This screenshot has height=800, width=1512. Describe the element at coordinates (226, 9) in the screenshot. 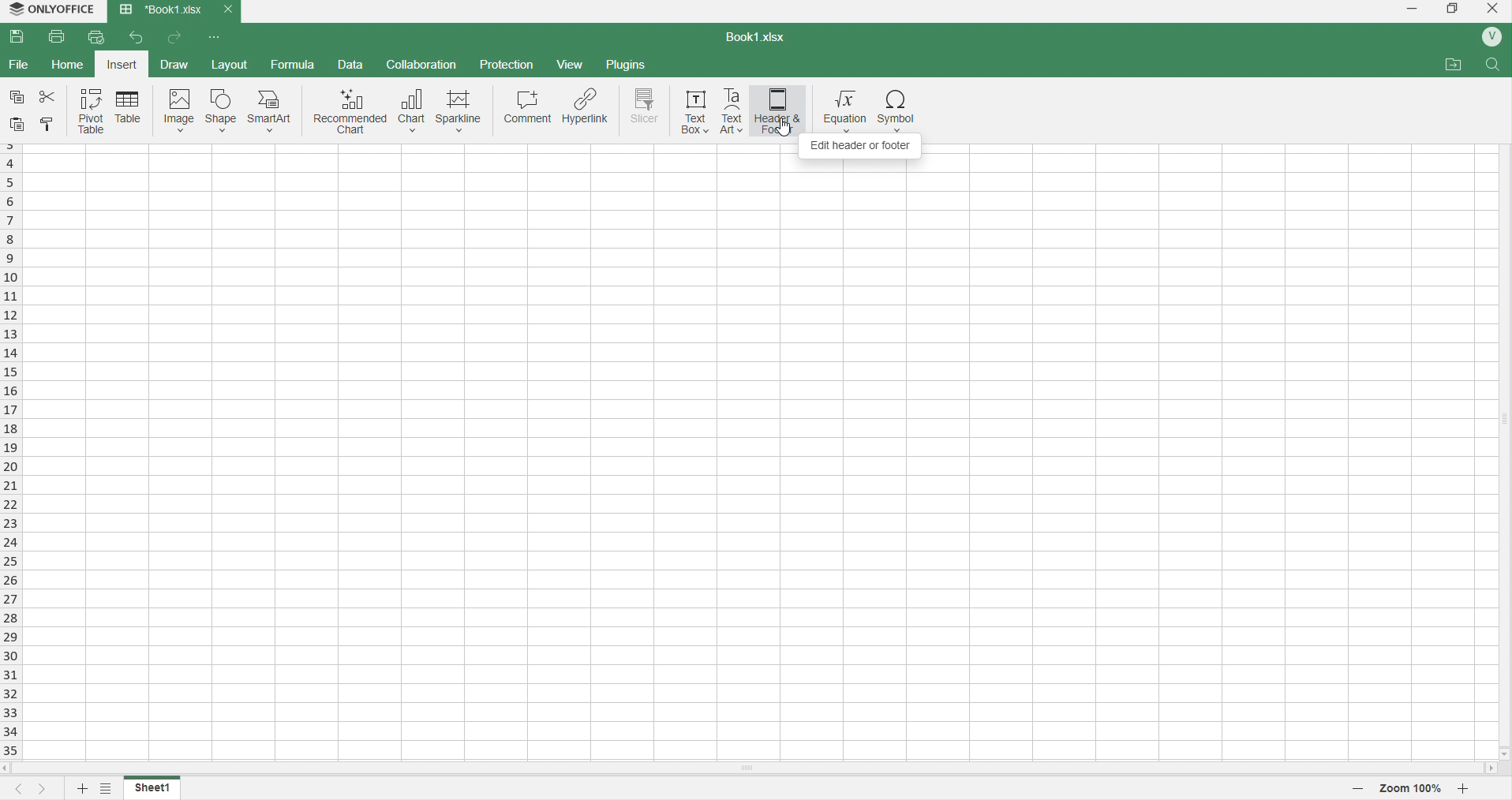

I see `close current tab` at that location.